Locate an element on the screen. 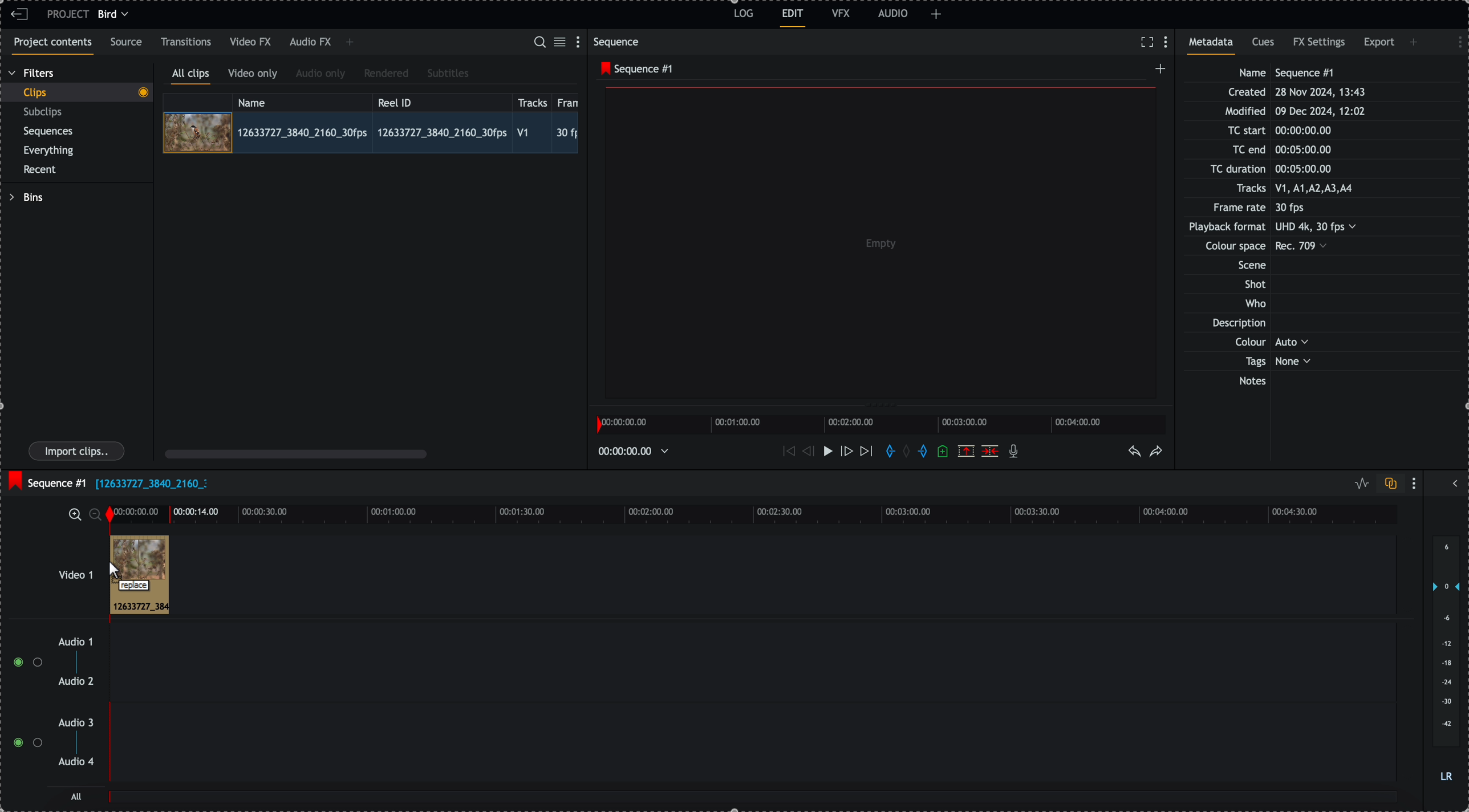  video 1 is located at coordinates (60, 569).